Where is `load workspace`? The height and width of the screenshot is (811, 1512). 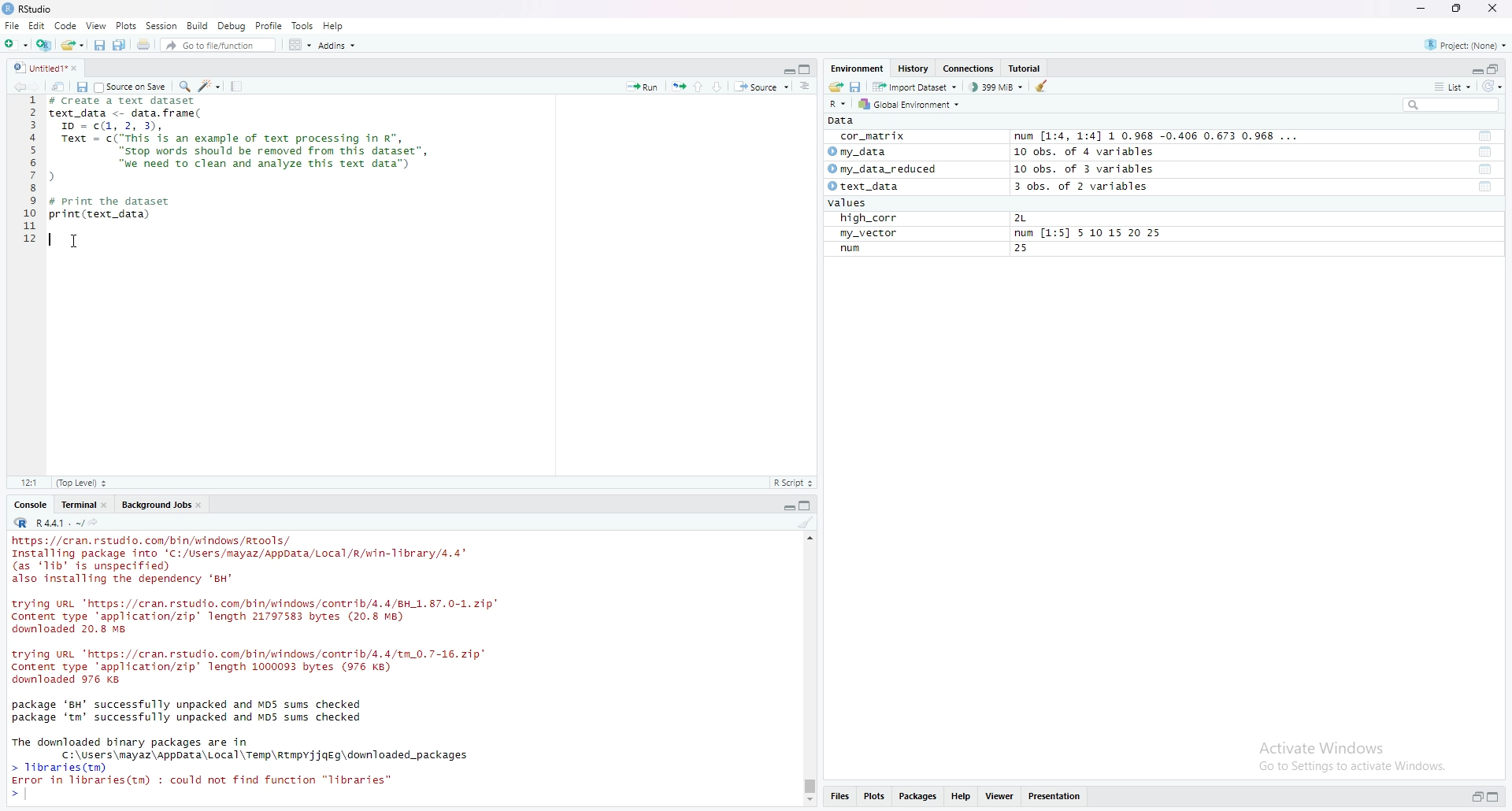 load workspace is located at coordinates (834, 87).